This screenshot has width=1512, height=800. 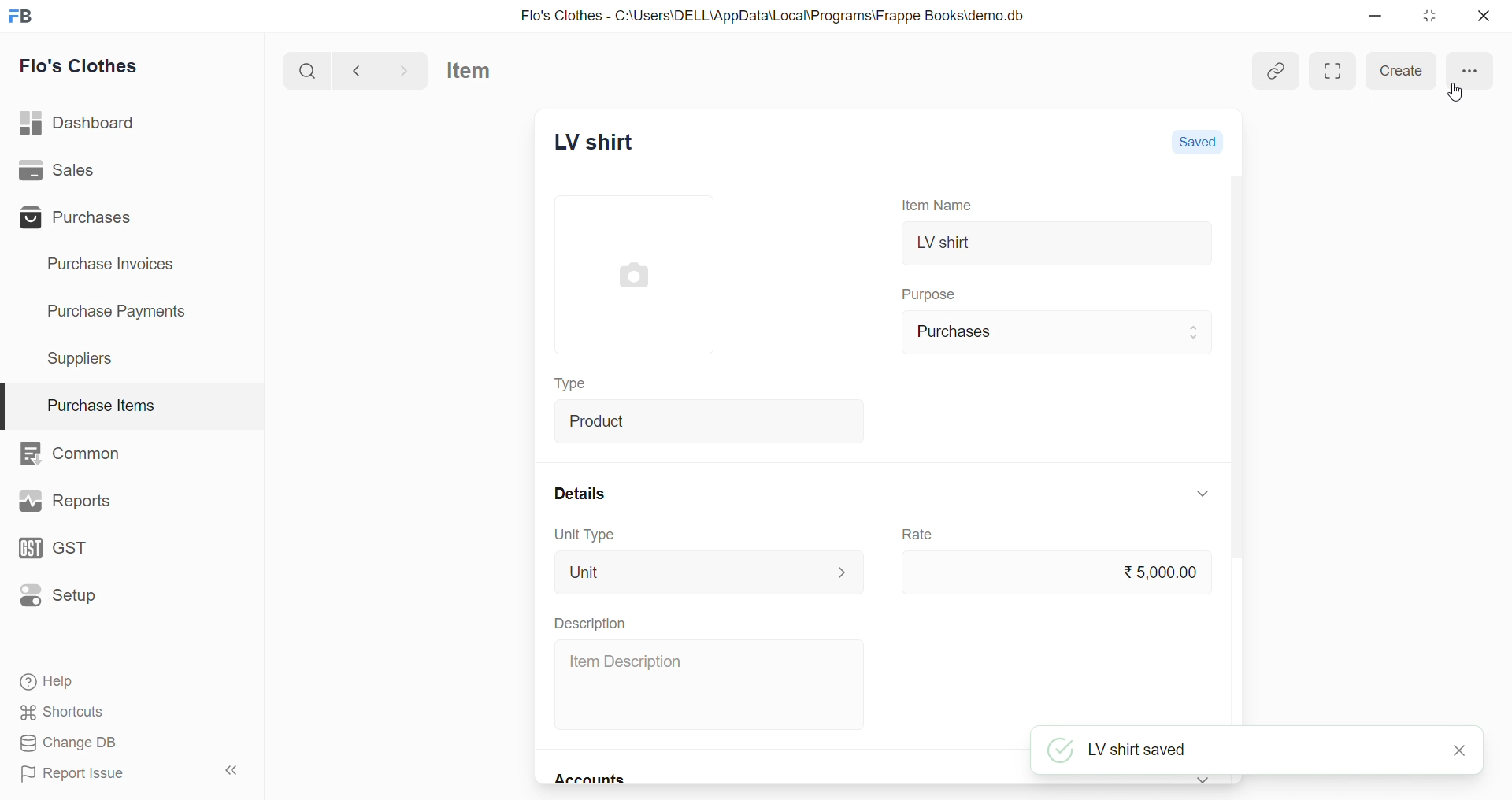 I want to click on Sales, so click(x=81, y=171).